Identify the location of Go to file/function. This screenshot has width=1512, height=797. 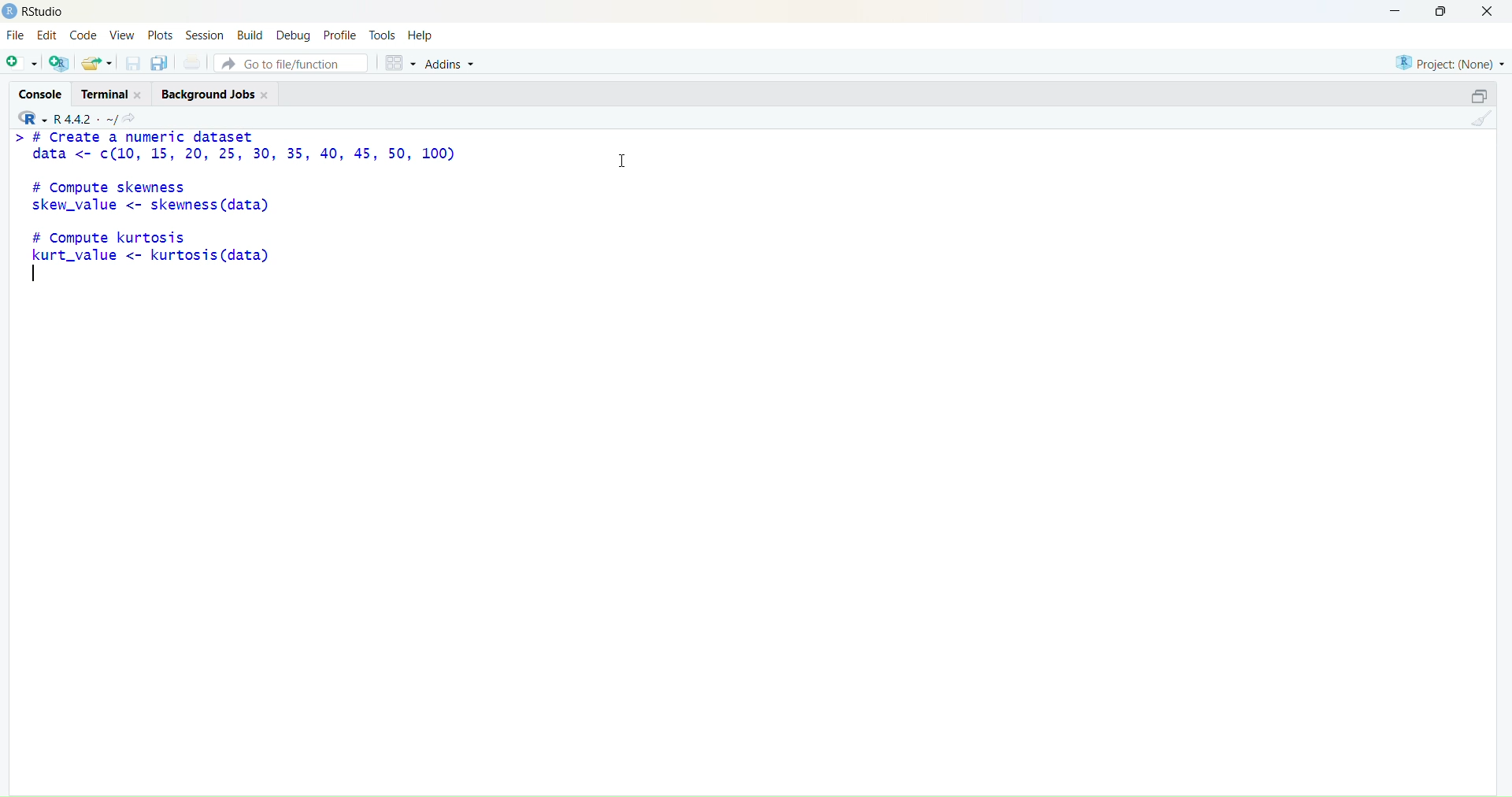
(293, 62).